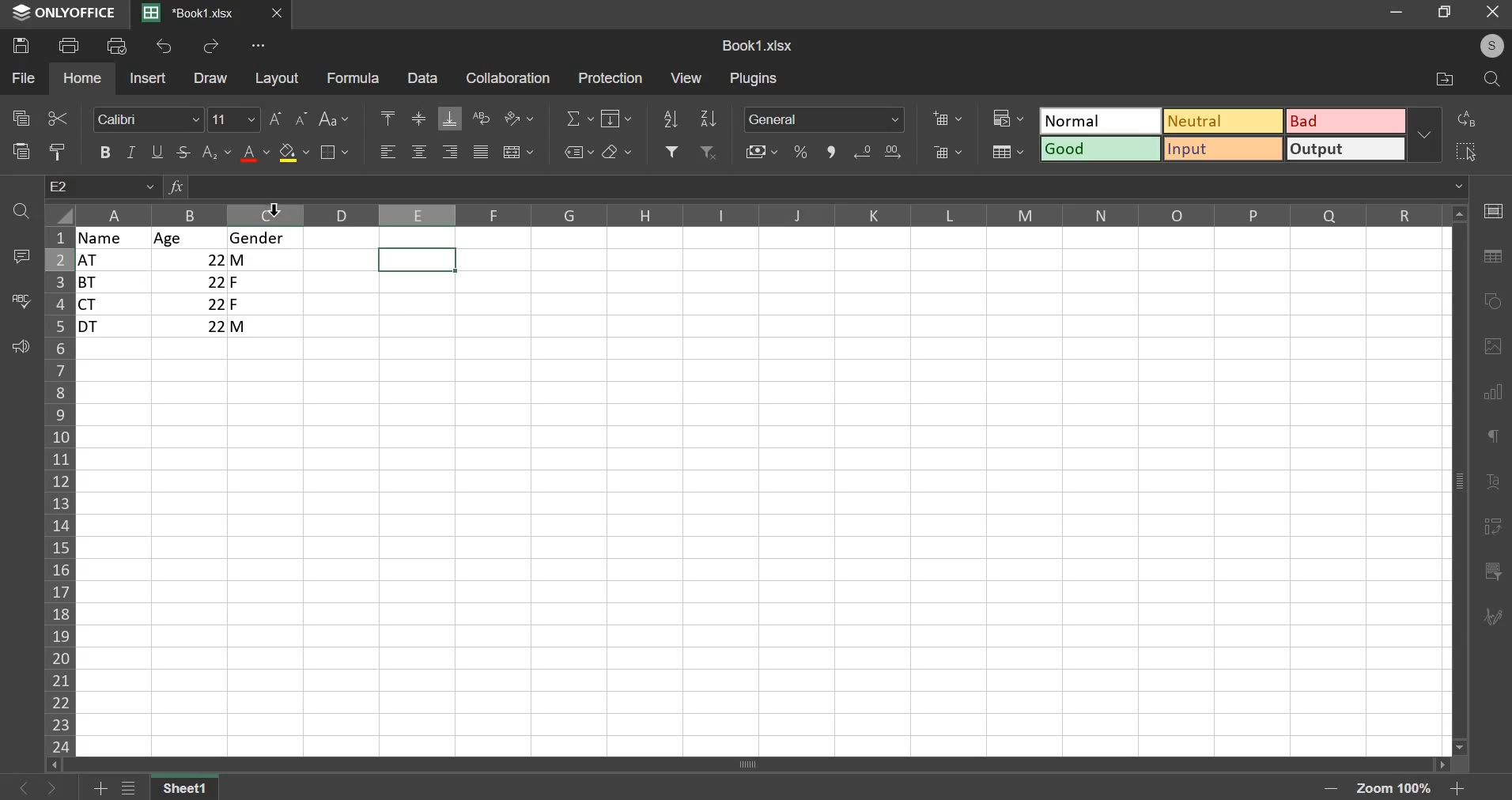  Describe the element at coordinates (1334, 789) in the screenshot. I see `zoom out` at that location.